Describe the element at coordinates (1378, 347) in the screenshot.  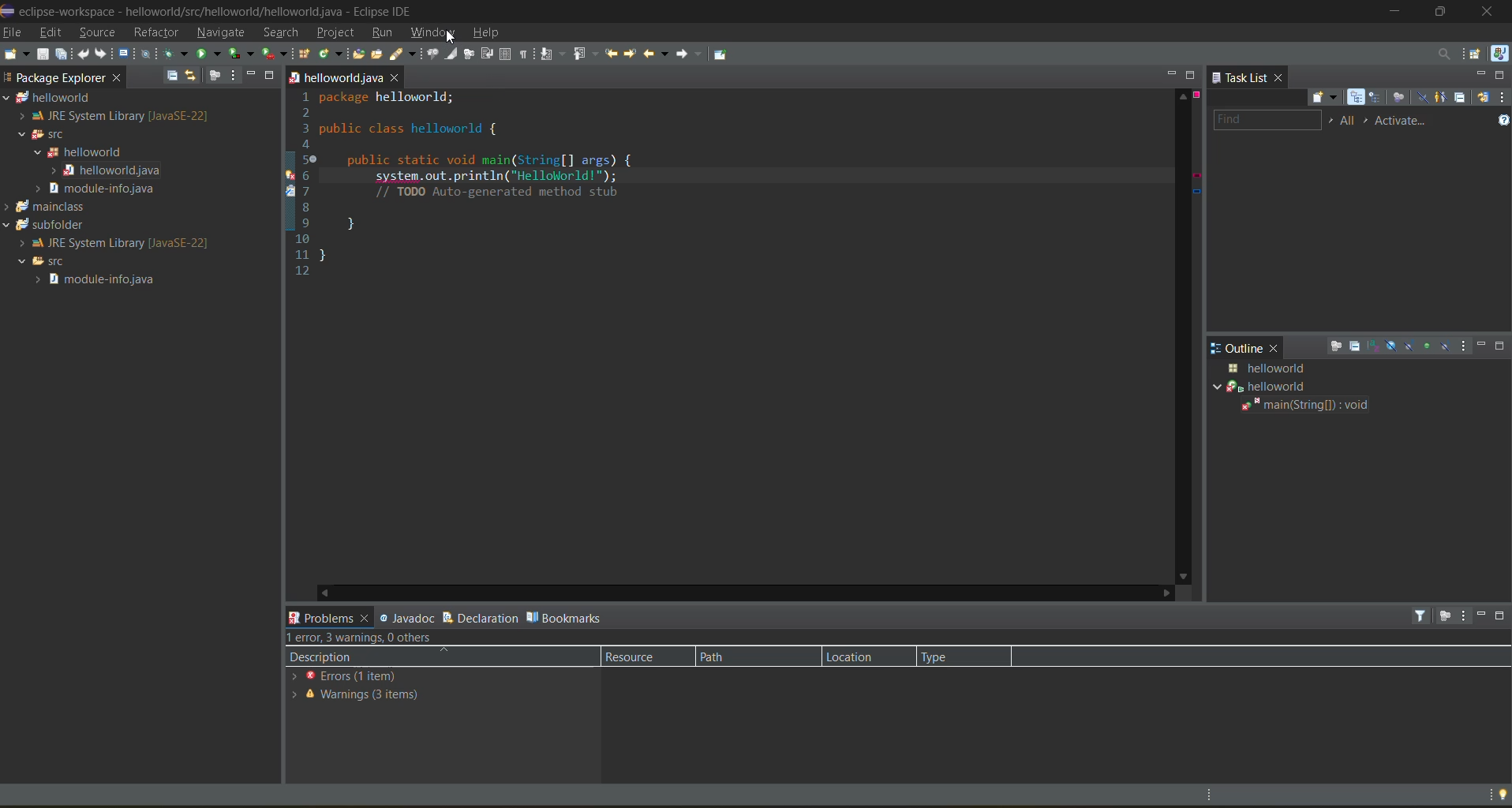
I see `sort` at that location.